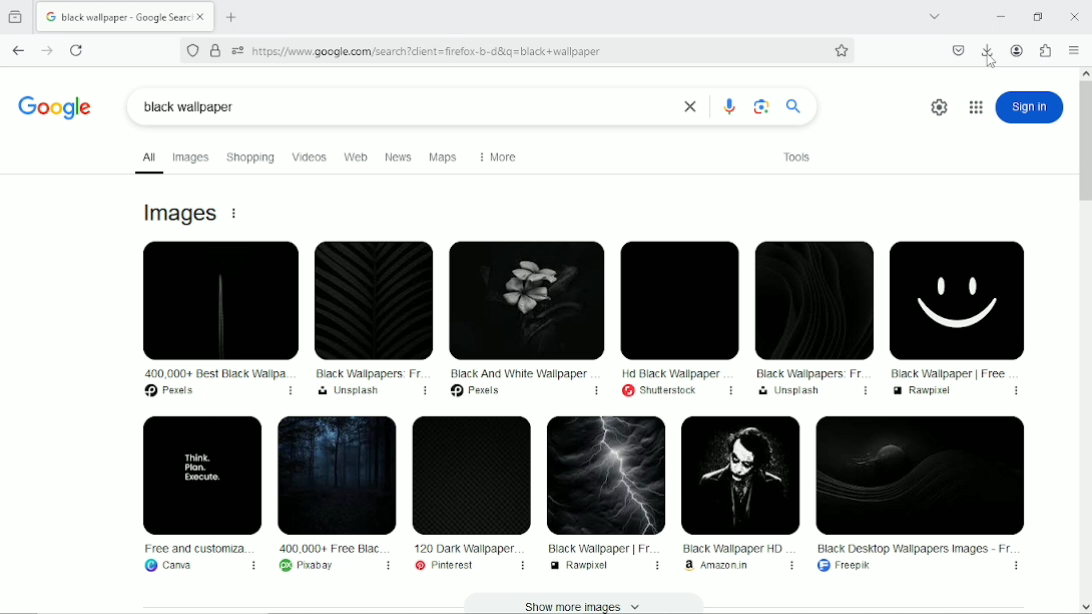 This screenshot has height=614, width=1092. Describe the element at coordinates (355, 156) in the screenshot. I see `web` at that location.